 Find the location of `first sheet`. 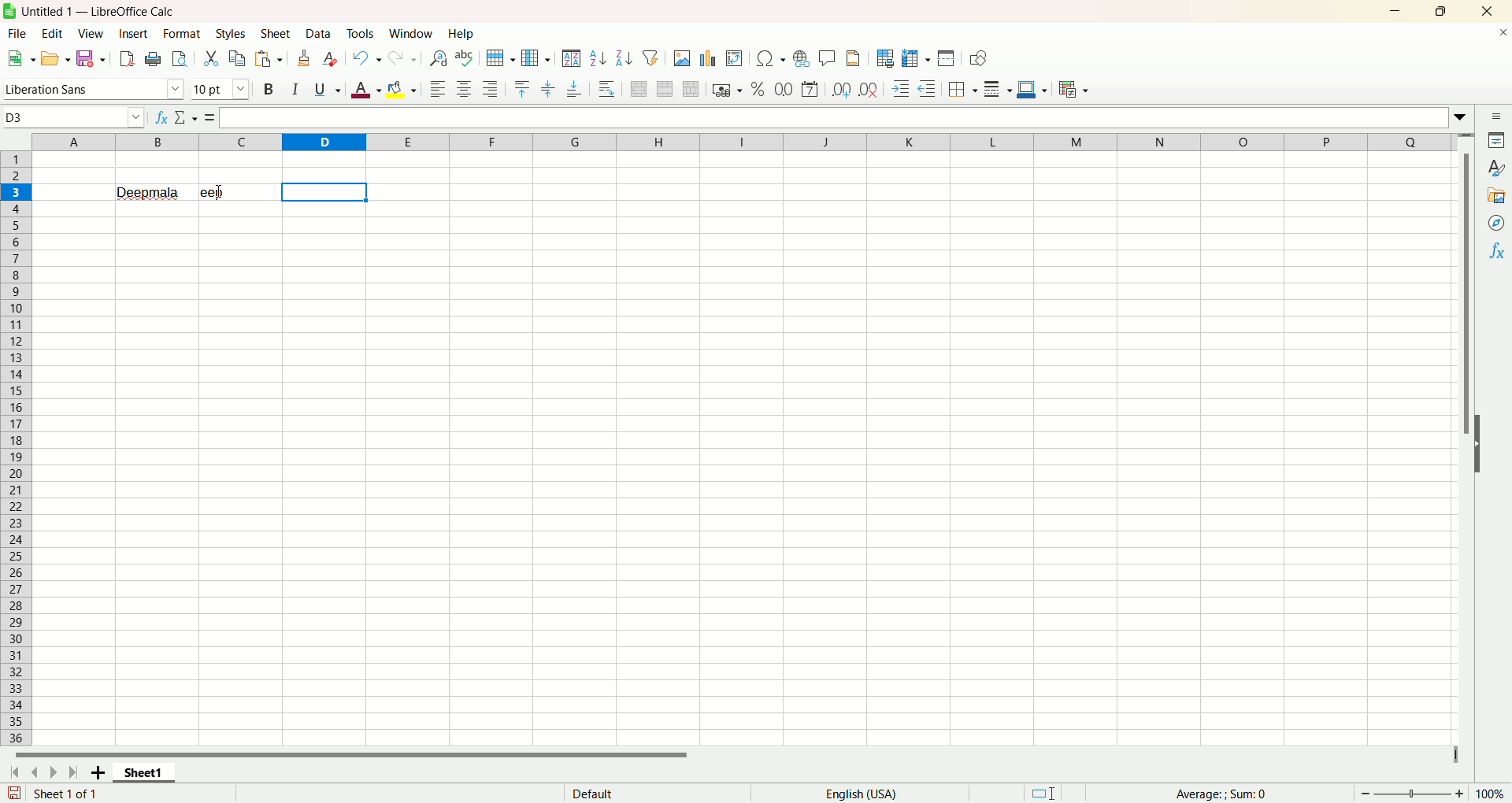

first sheet is located at coordinates (13, 775).